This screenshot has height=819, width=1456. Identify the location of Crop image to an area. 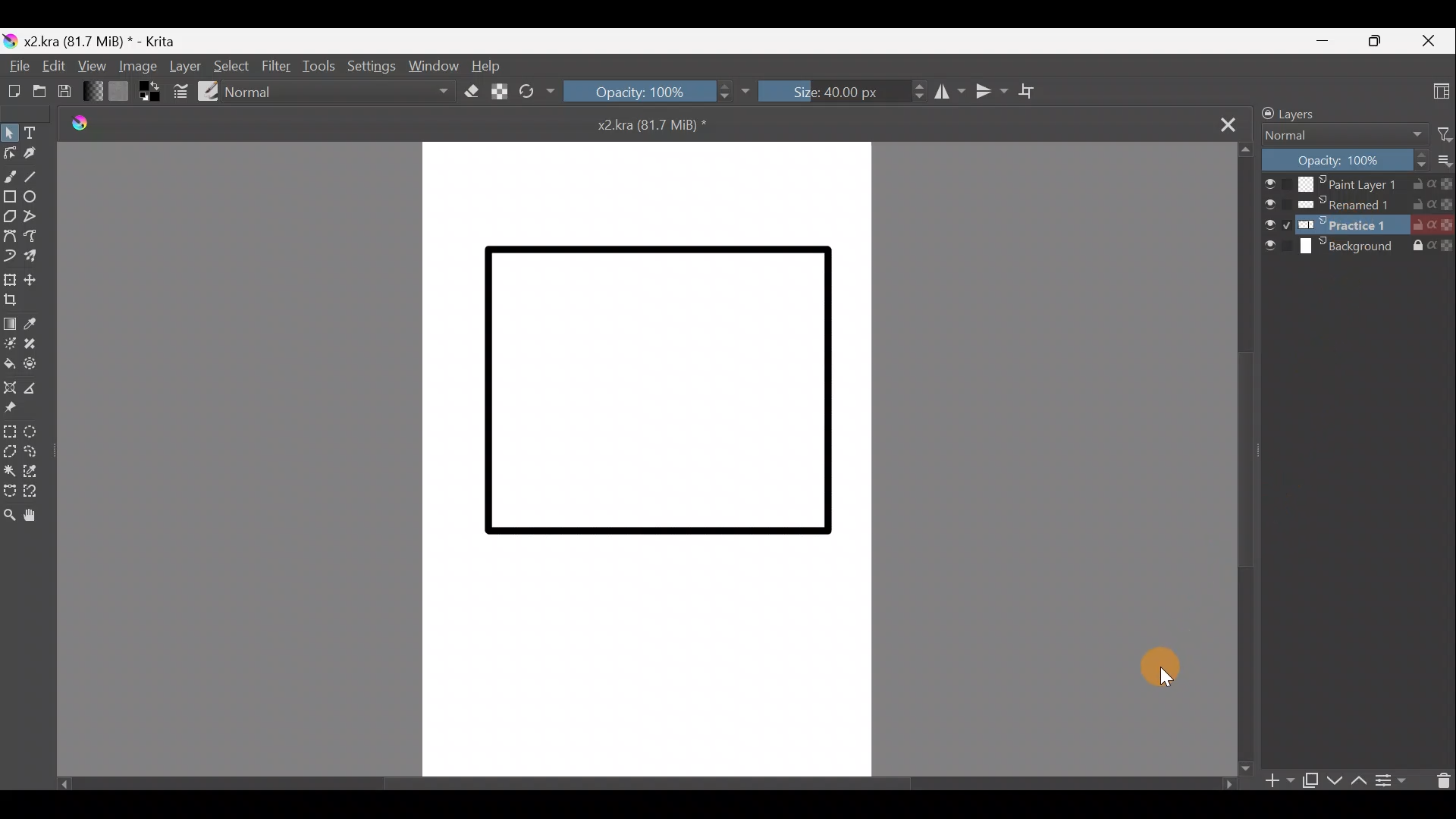
(14, 301).